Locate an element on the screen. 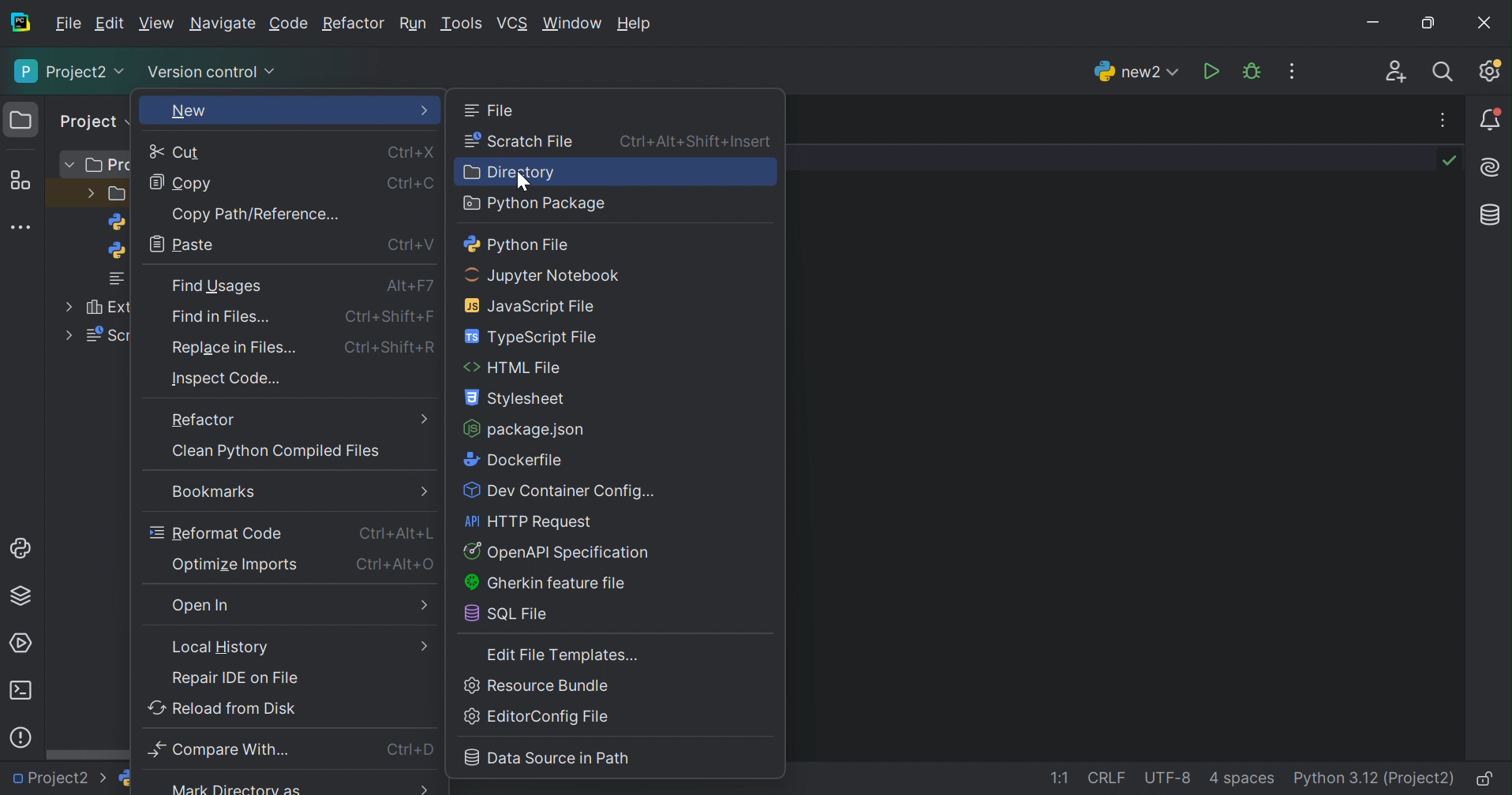  Reformat code is located at coordinates (216, 533).